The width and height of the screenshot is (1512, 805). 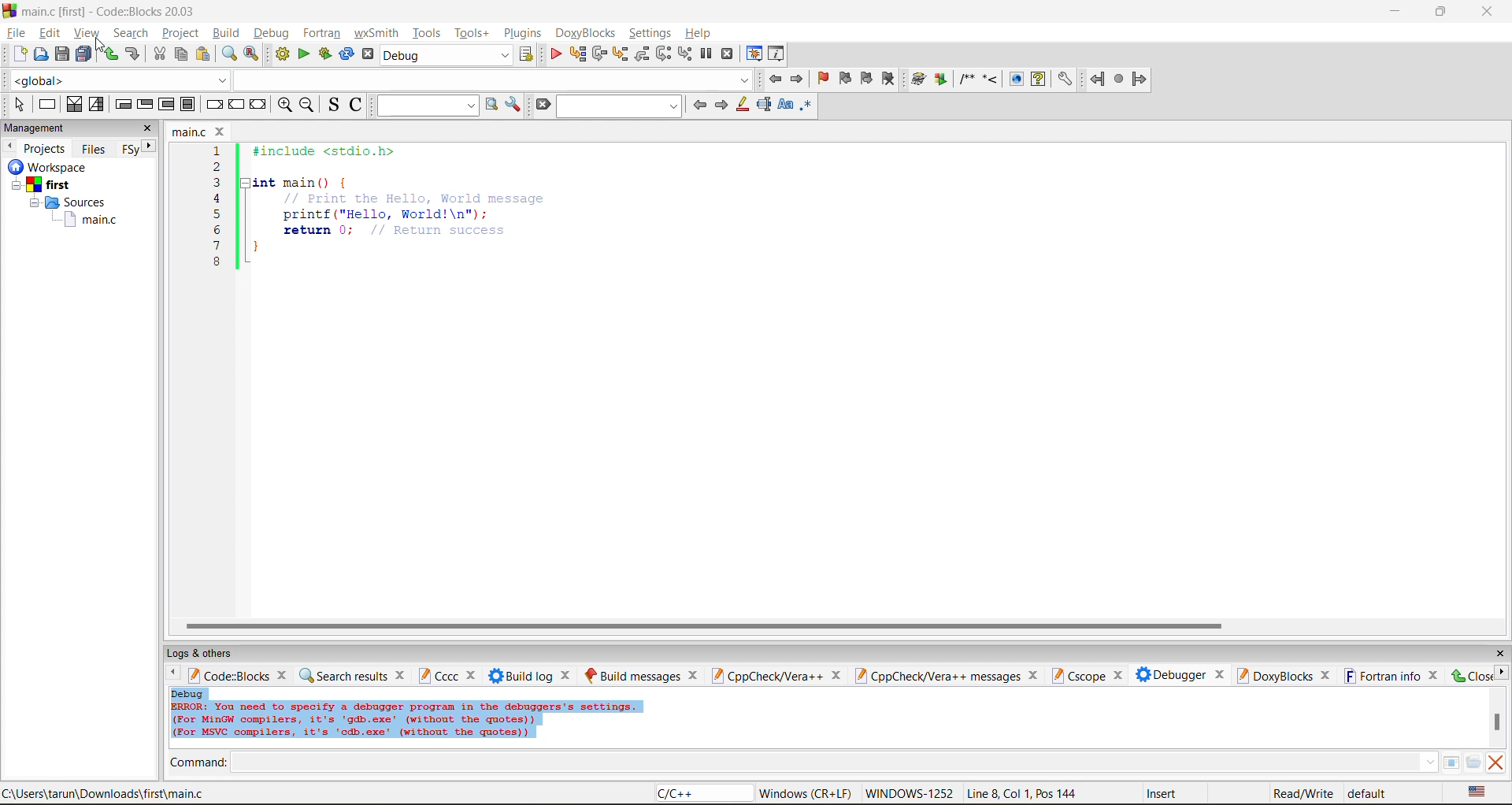 What do you see at coordinates (324, 55) in the screenshot?
I see `build and run` at bounding box center [324, 55].